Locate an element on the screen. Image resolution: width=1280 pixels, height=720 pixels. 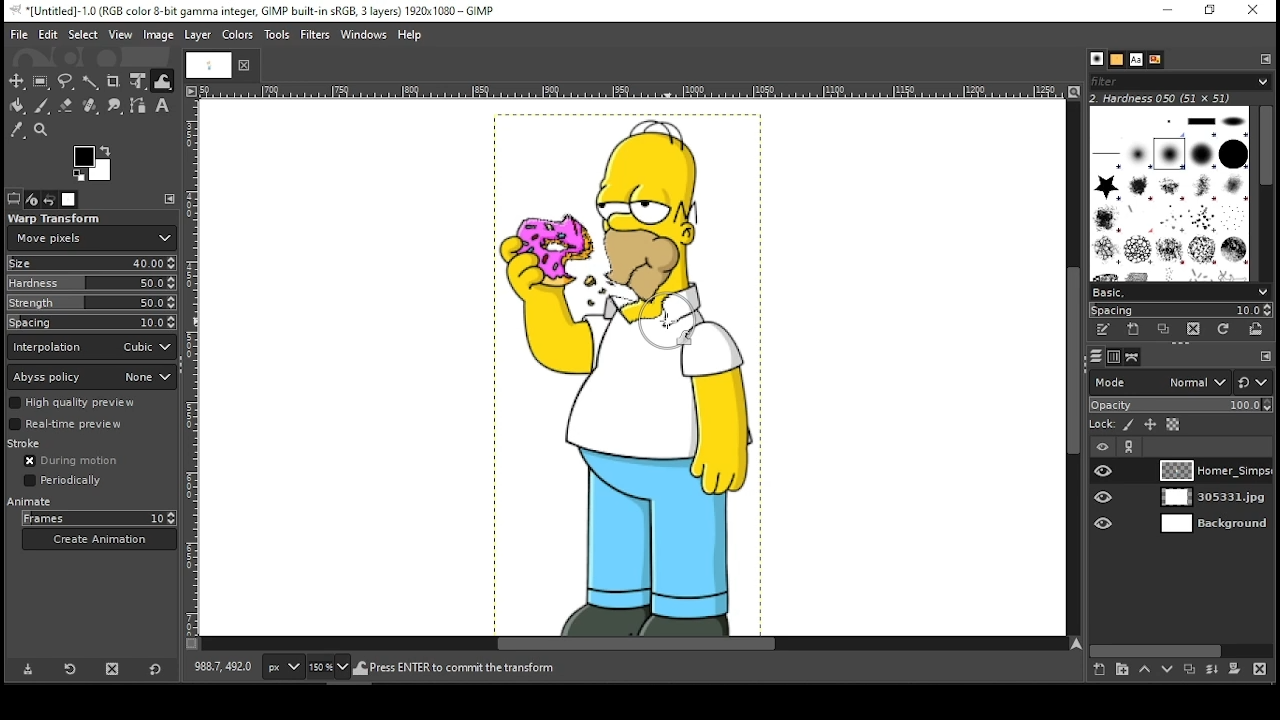
device status is located at coordinates (33, 200).